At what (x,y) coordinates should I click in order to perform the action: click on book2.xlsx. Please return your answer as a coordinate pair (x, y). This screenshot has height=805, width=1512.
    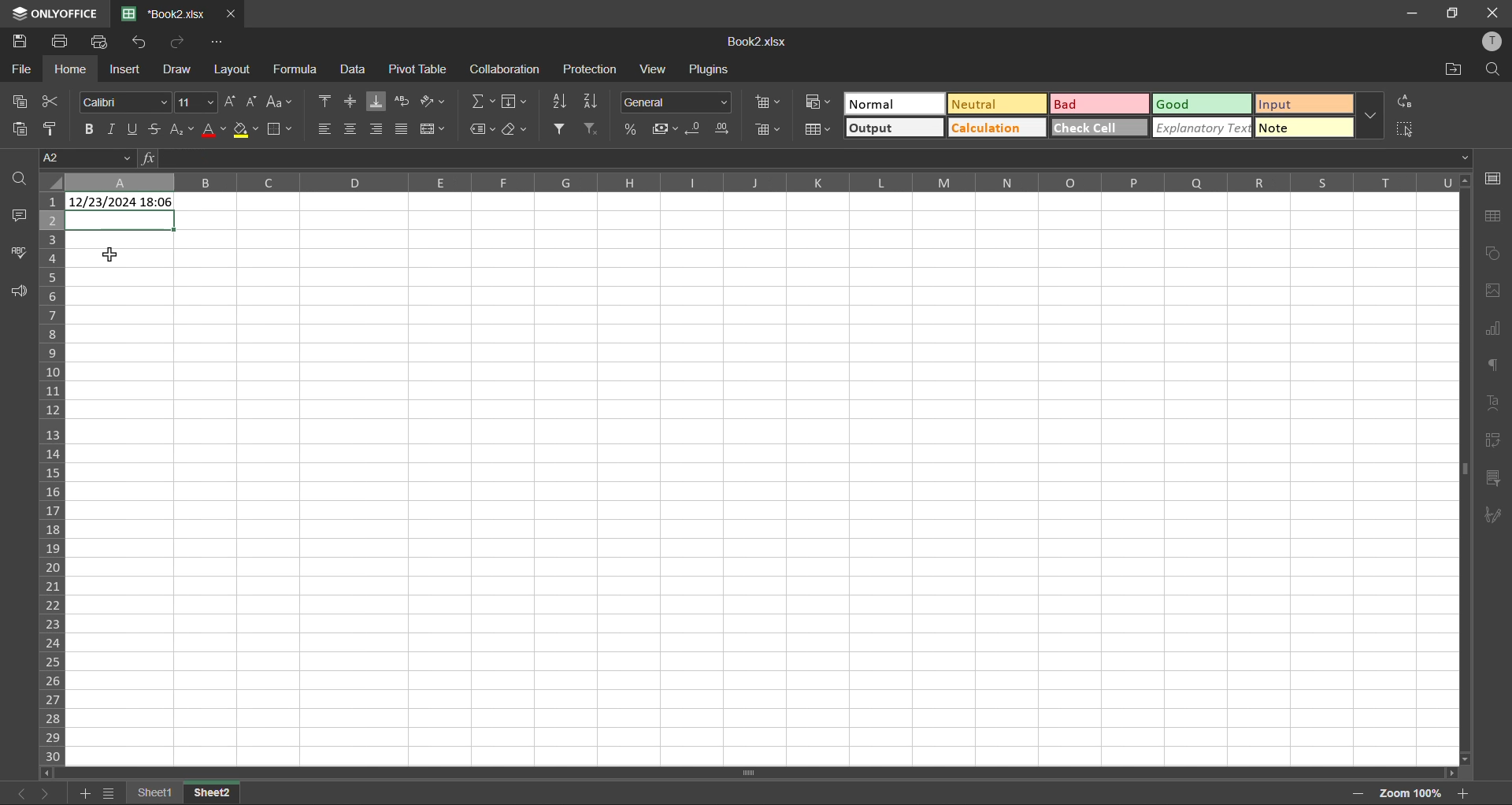
    Looking at the image, I should click on (755, 43).